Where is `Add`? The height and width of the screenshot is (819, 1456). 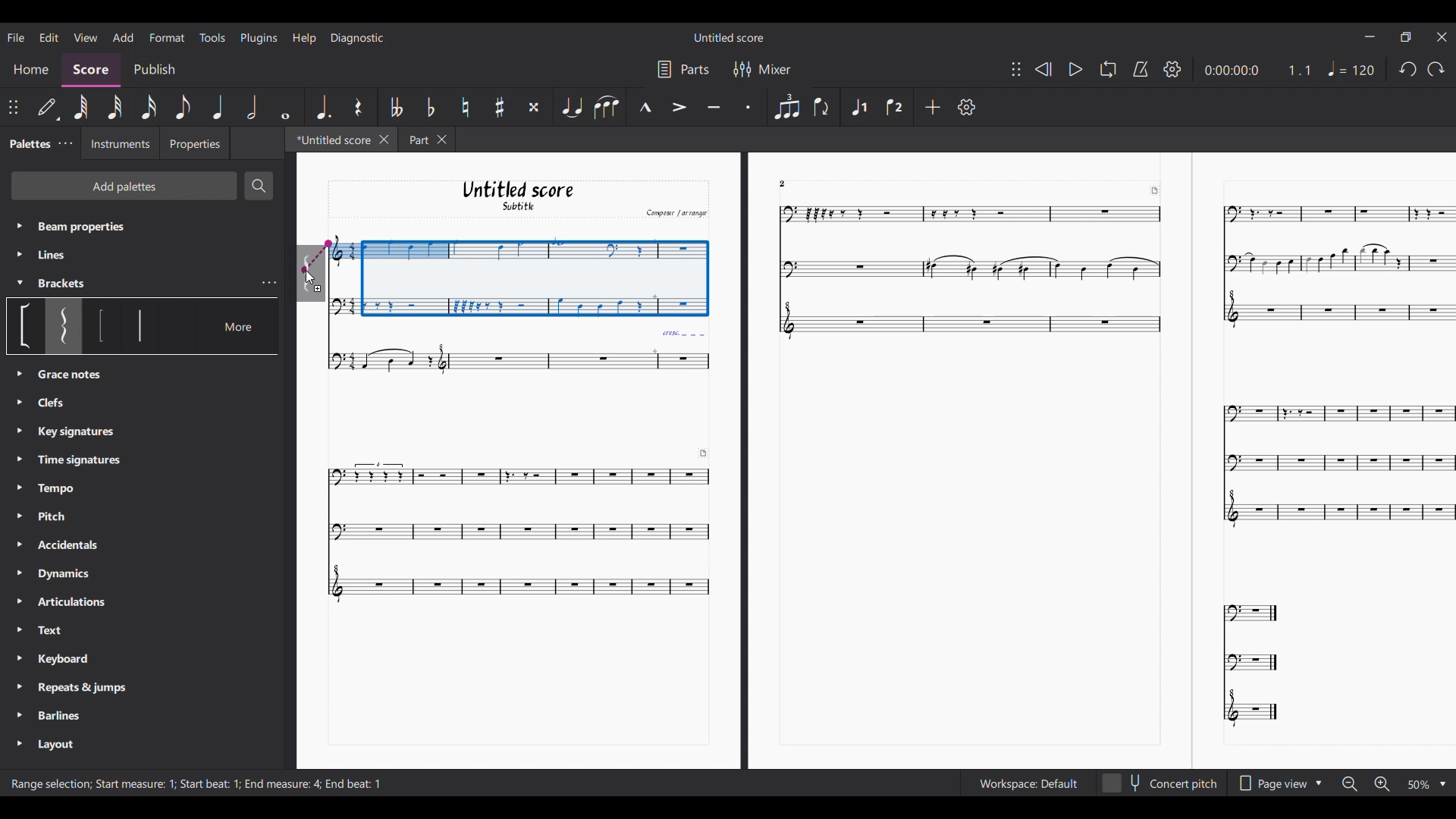
Add is located at coordinates (123, 38).